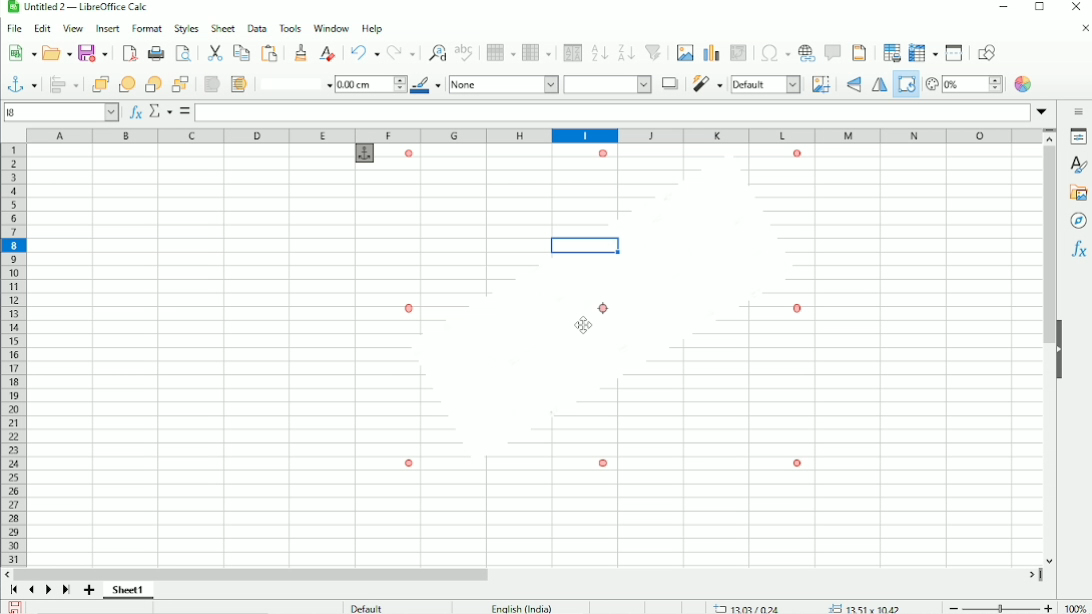  I want to click on Function wizard, so click(135, 112).